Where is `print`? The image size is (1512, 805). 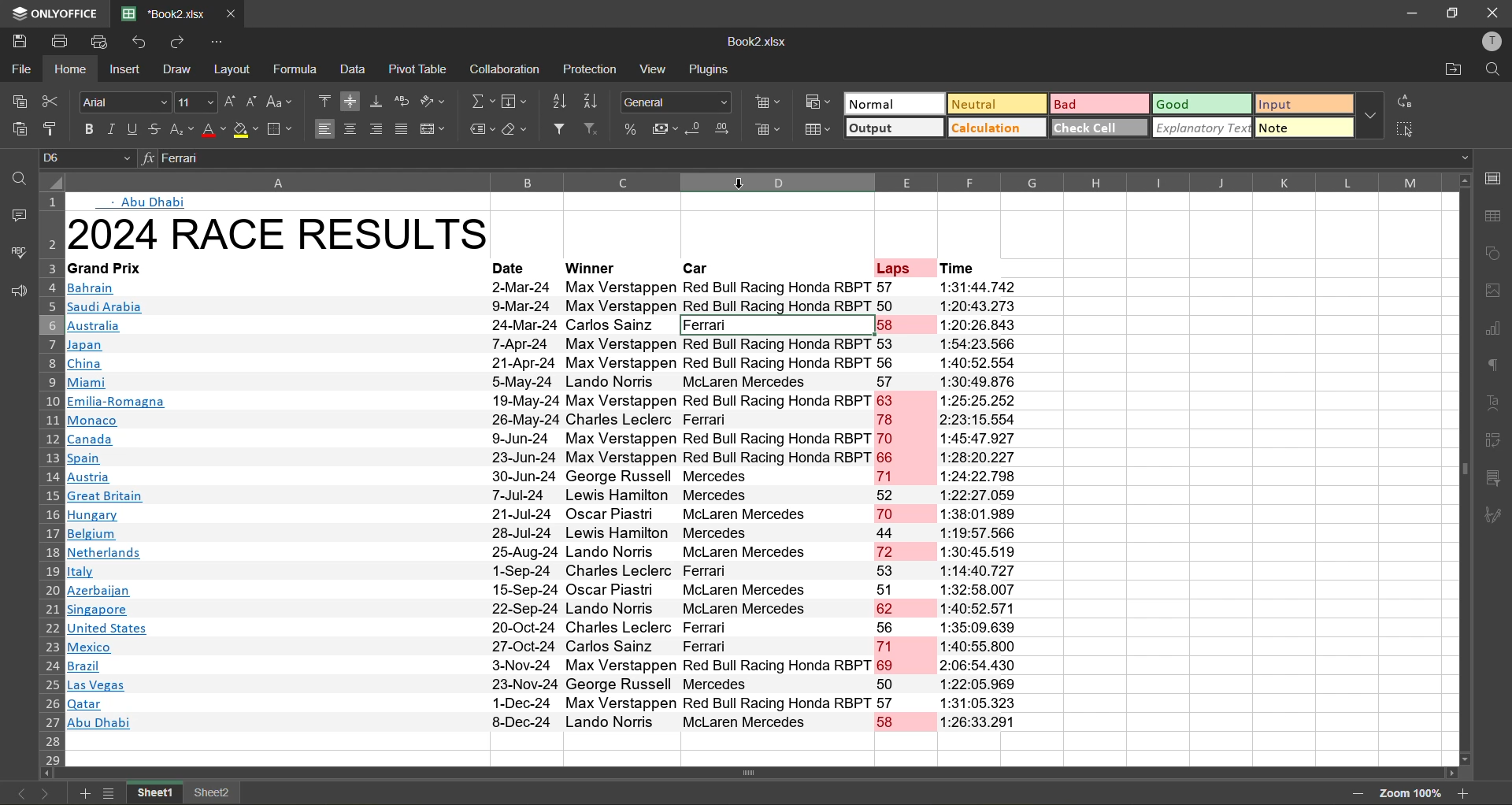
print is located at coordinates (61, 39).